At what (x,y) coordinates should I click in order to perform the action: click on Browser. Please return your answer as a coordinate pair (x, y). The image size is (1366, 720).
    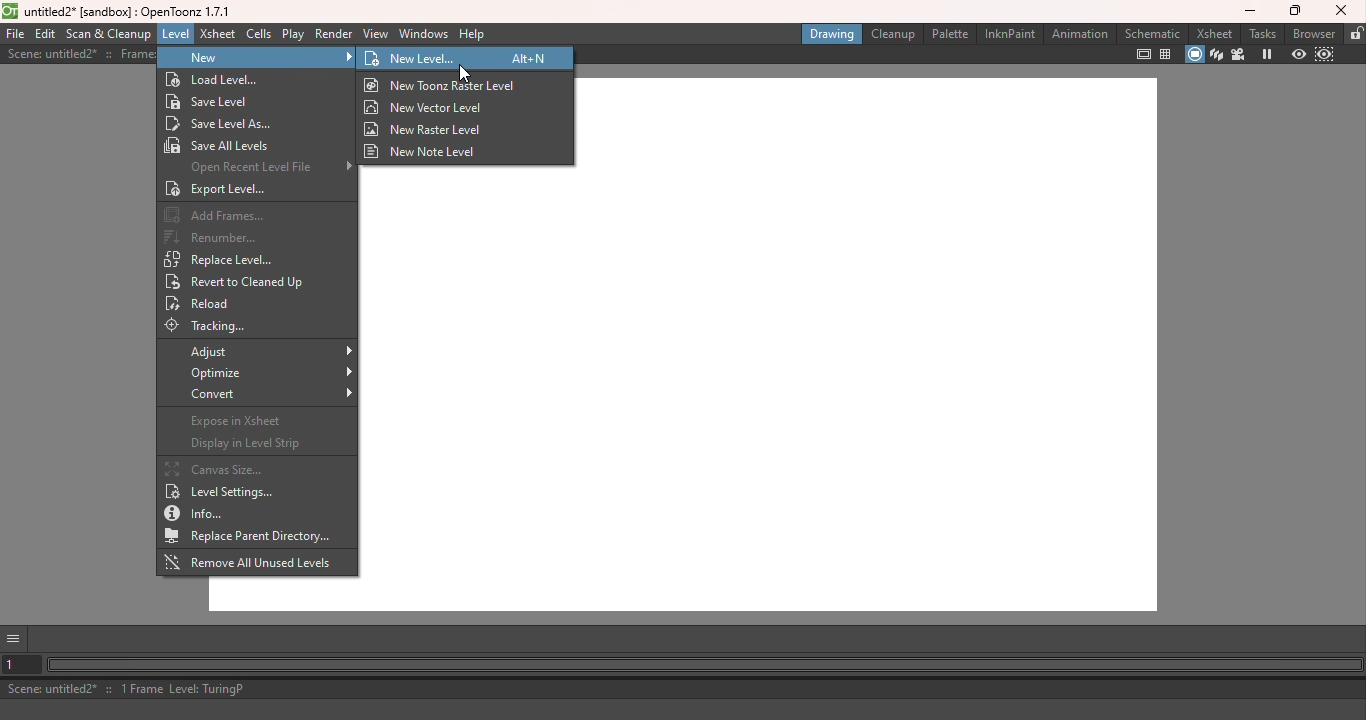
    Looking at the image, I should click on (1313, 33).